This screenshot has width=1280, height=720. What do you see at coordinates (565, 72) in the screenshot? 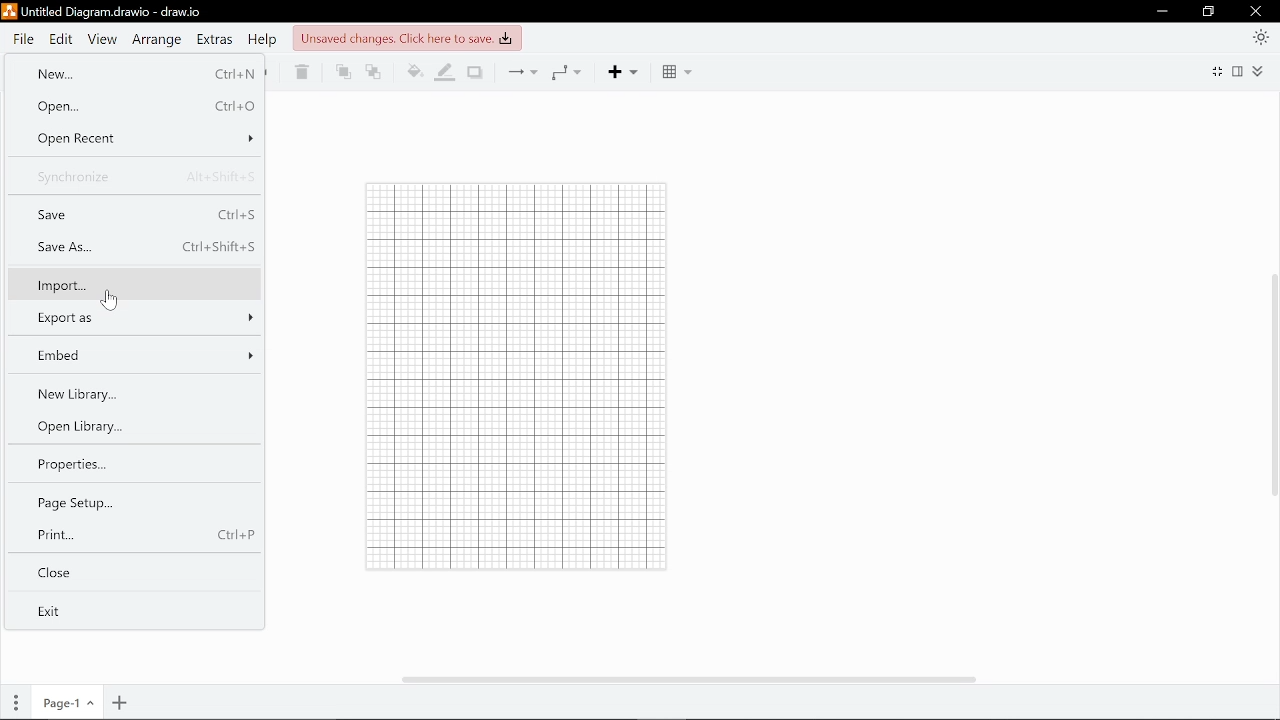
I see `Waypoints` at bounding box center [565, 72].